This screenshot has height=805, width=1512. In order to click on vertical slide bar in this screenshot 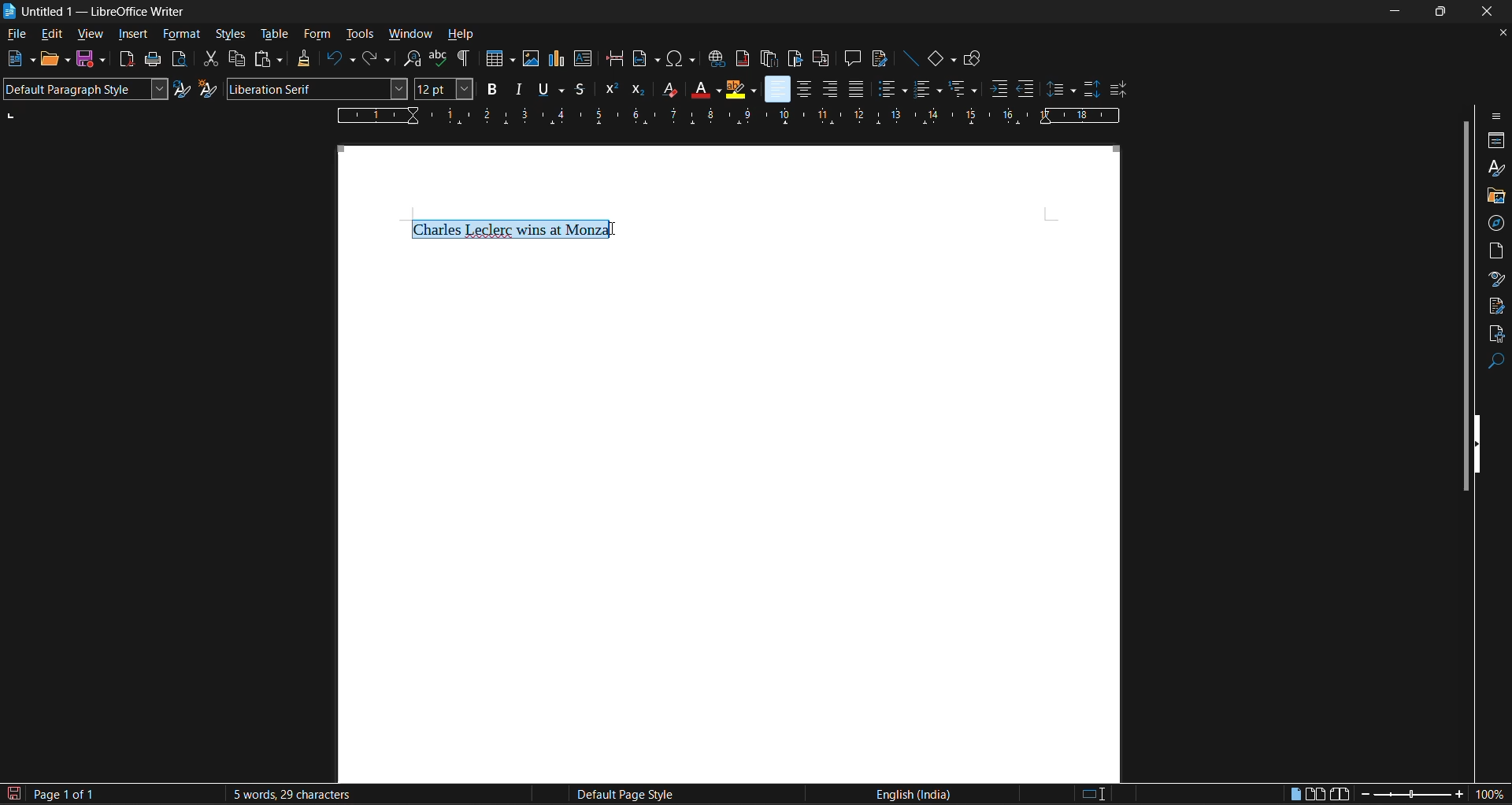, I will do `click(1465, 303)`.